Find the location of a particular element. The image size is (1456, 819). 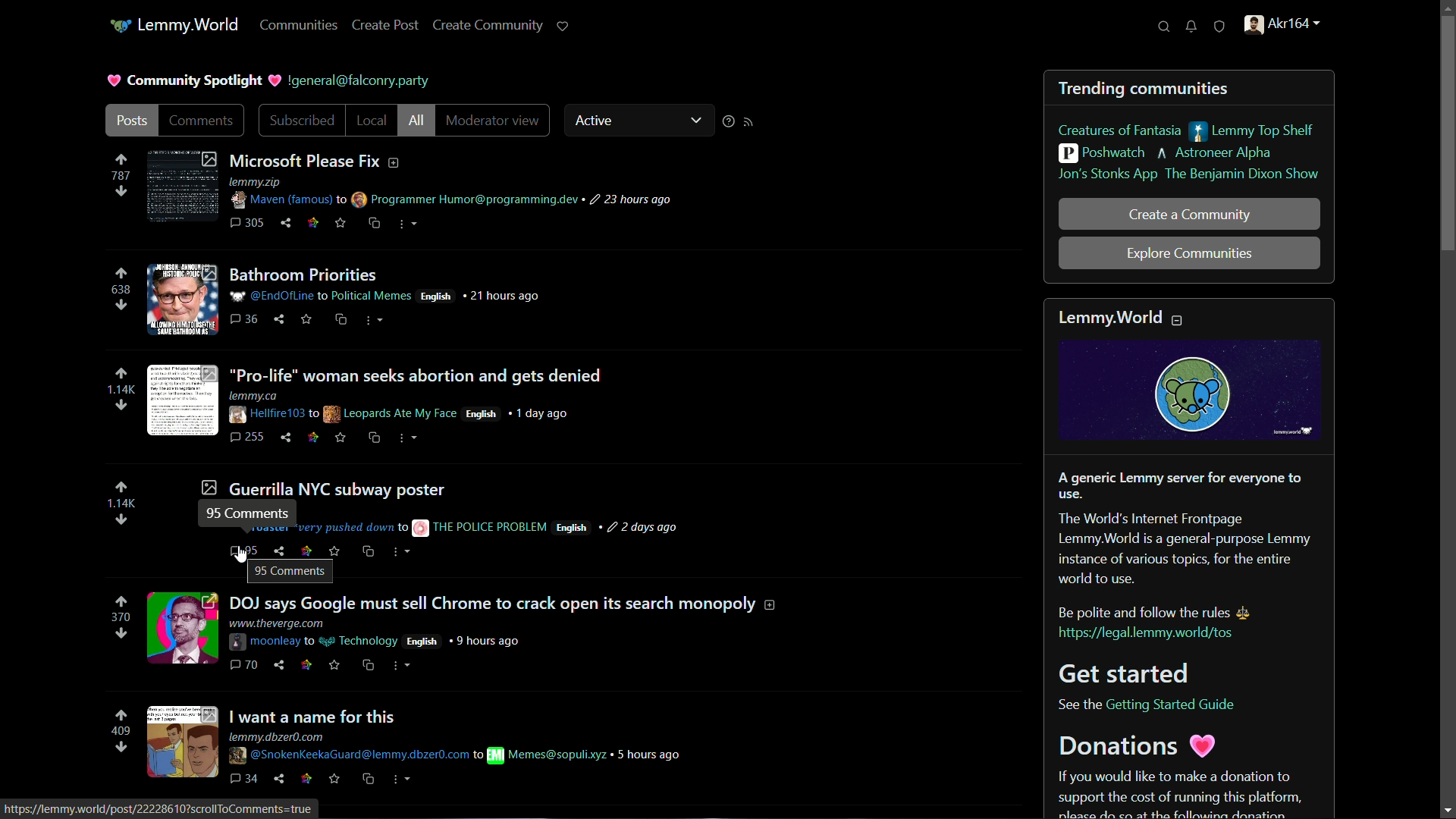

options is located at coordinates (405, 224).